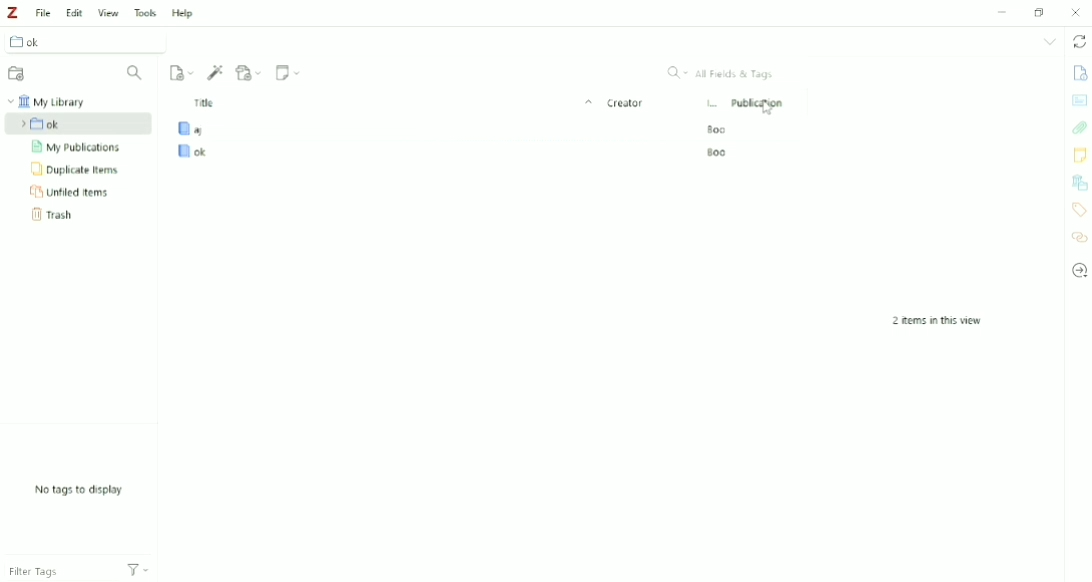 Image resolution: width=1092 pixels, height=582 pixels. What do you see at coordinates (14, 12) in the screenshot?
I see `Logo` at bounding box center [14, 12].